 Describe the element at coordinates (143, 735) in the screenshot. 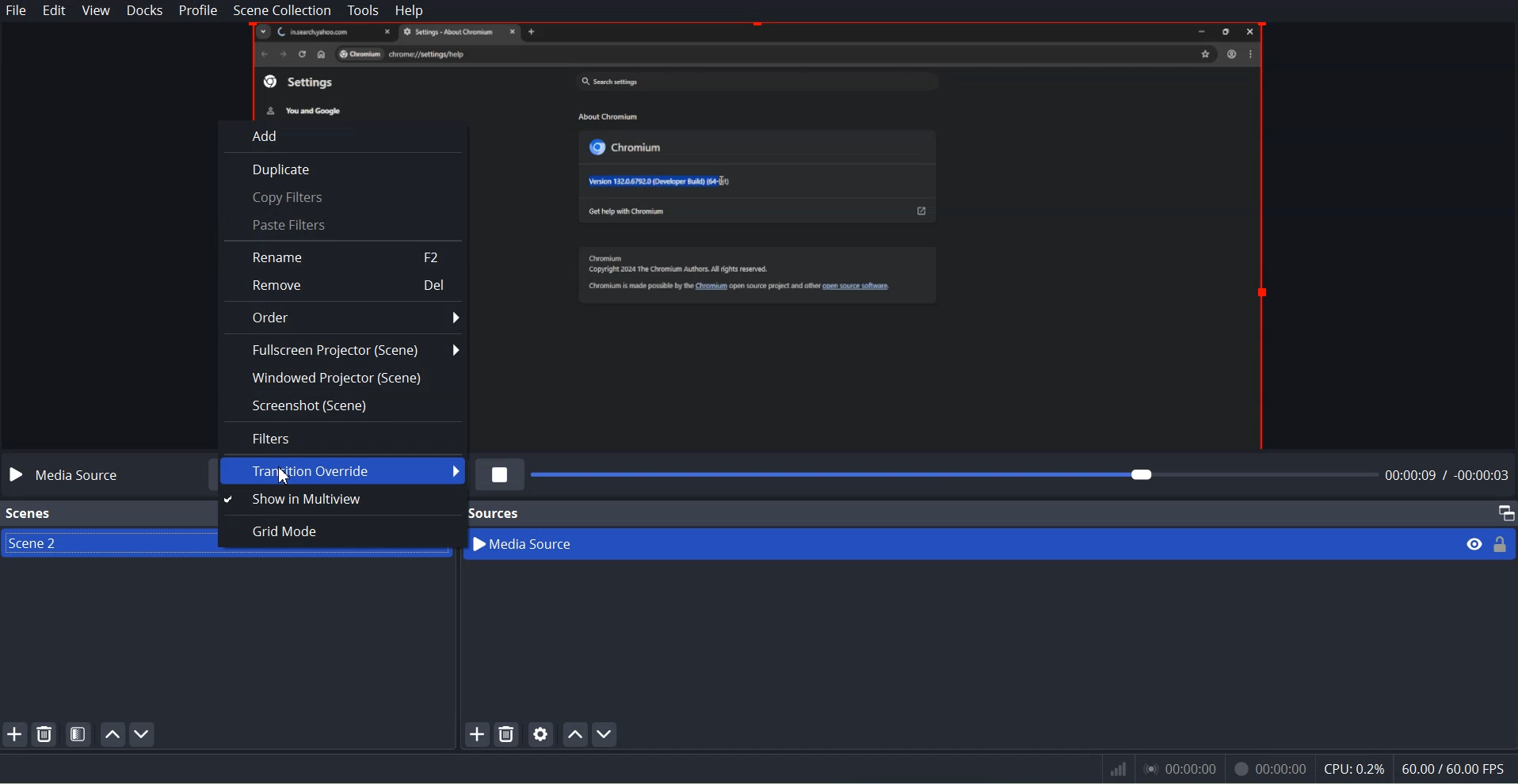

I see `Move Scene down` at that location.